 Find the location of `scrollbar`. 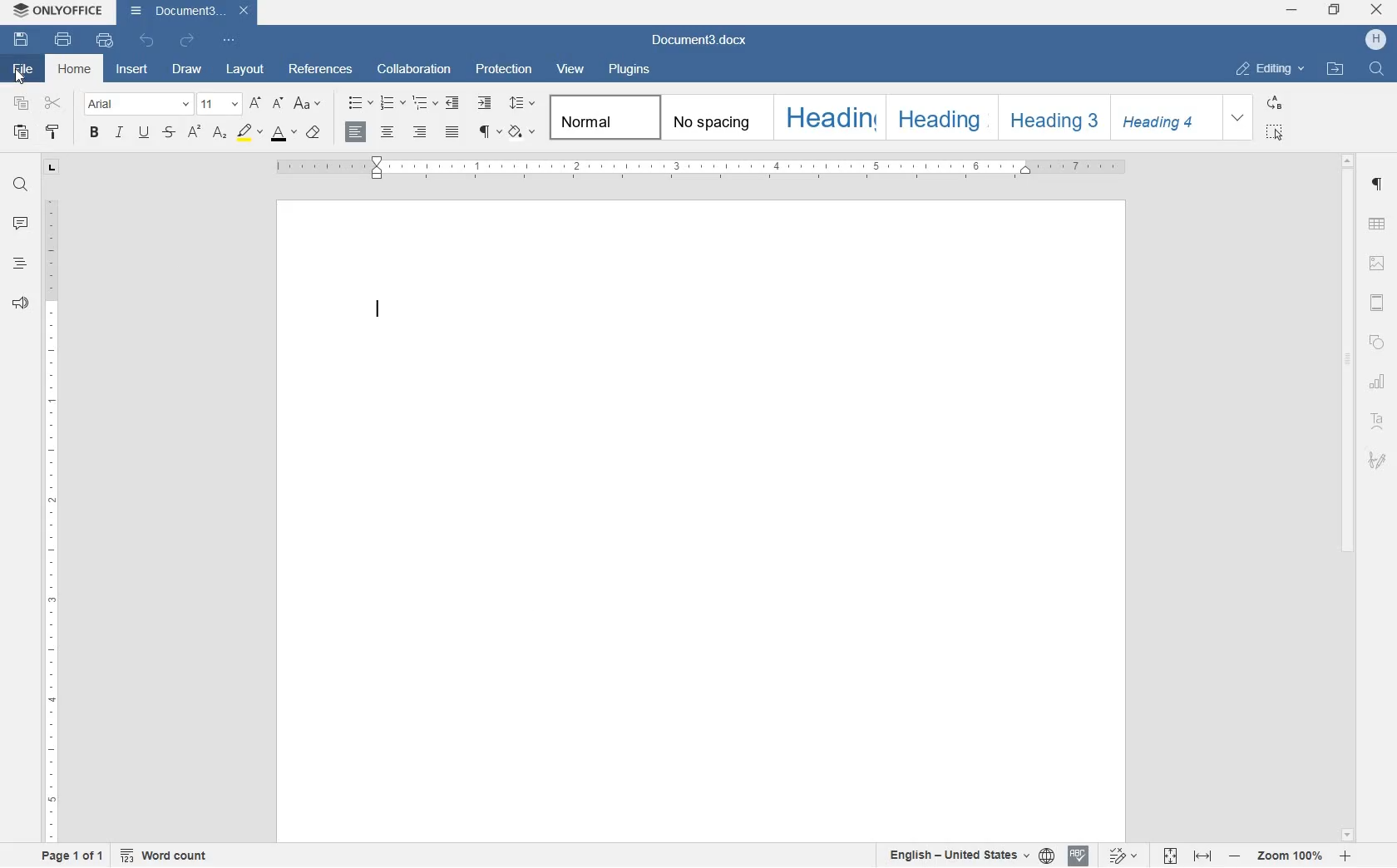

scrollbar is located at coordinates (1348, 498).